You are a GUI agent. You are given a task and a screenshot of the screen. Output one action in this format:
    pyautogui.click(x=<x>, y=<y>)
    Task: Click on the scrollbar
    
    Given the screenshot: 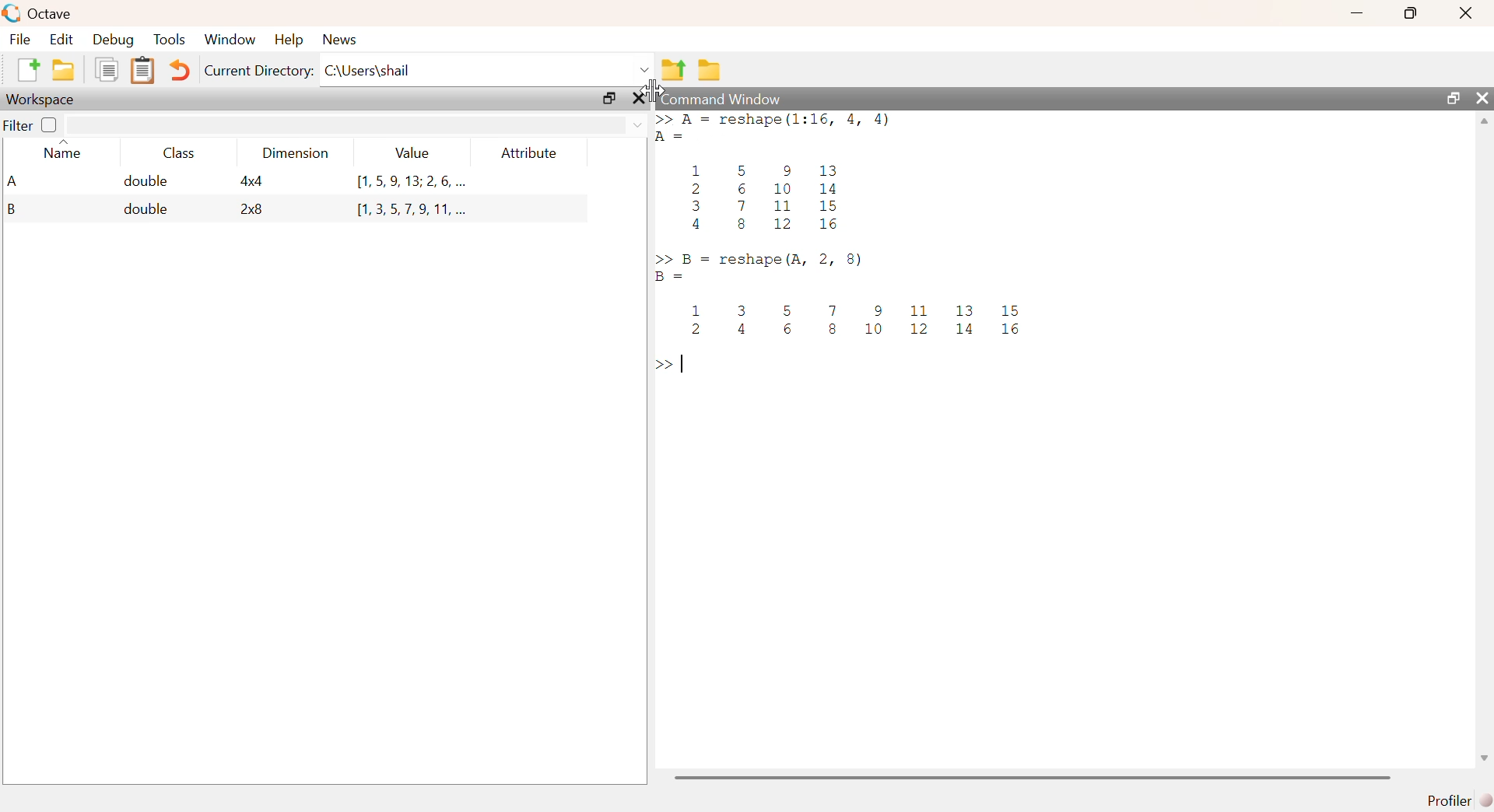 What is the action you would take?
    pyautogui.click(x=1033, y=777)
    